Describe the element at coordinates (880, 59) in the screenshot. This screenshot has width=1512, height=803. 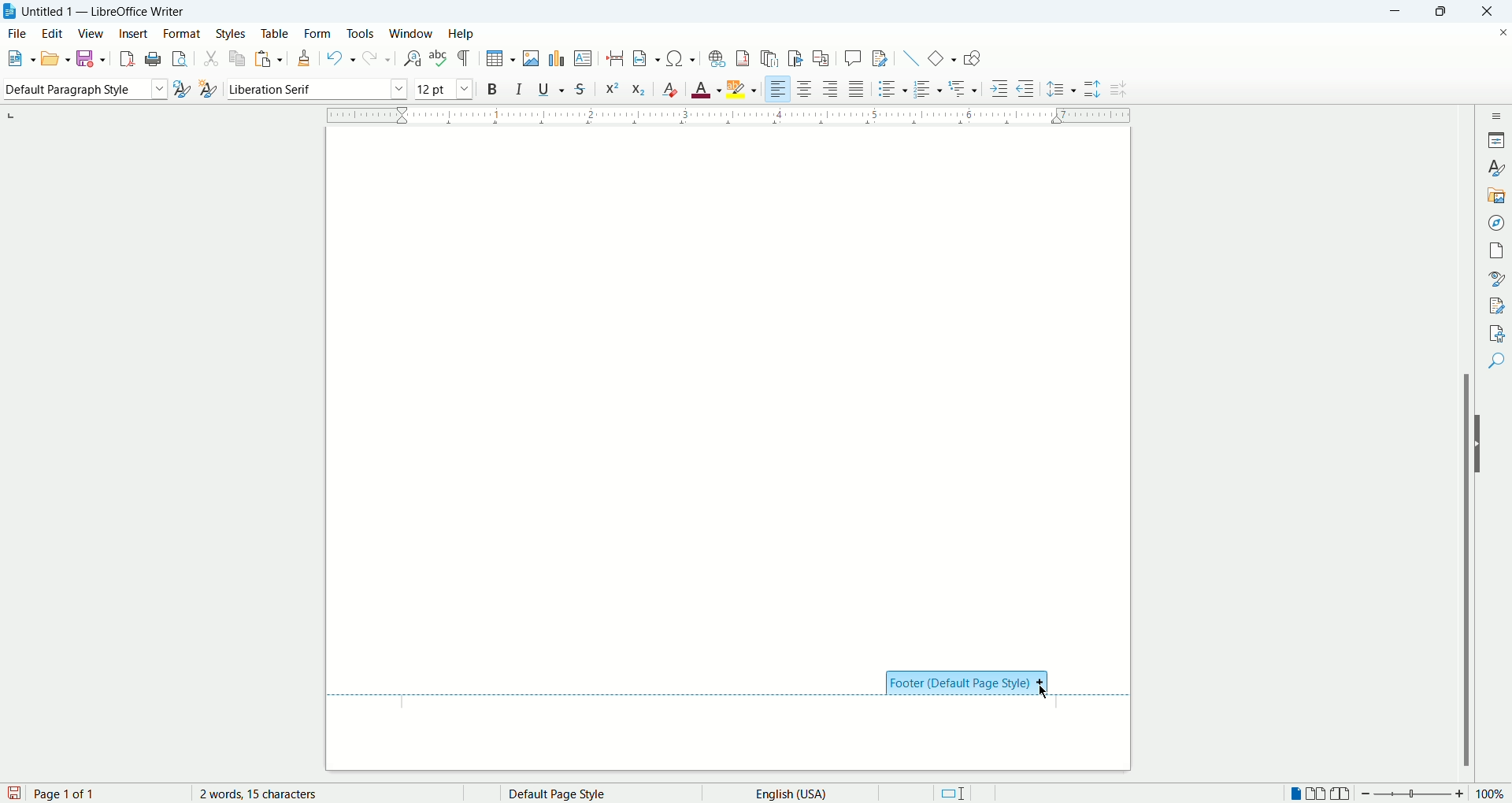
I see `track changes` at that location.